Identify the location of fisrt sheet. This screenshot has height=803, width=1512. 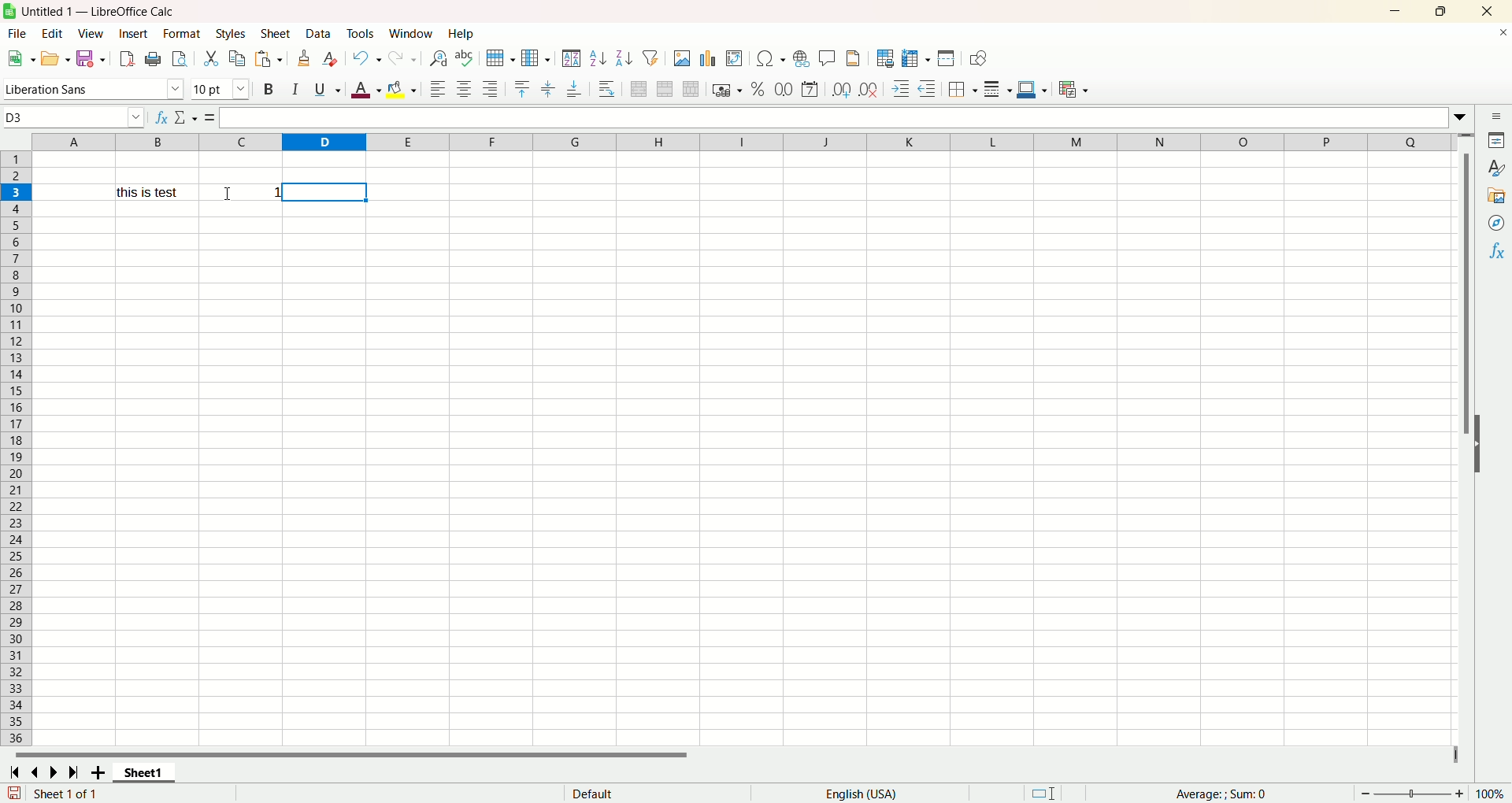
(13, 772).